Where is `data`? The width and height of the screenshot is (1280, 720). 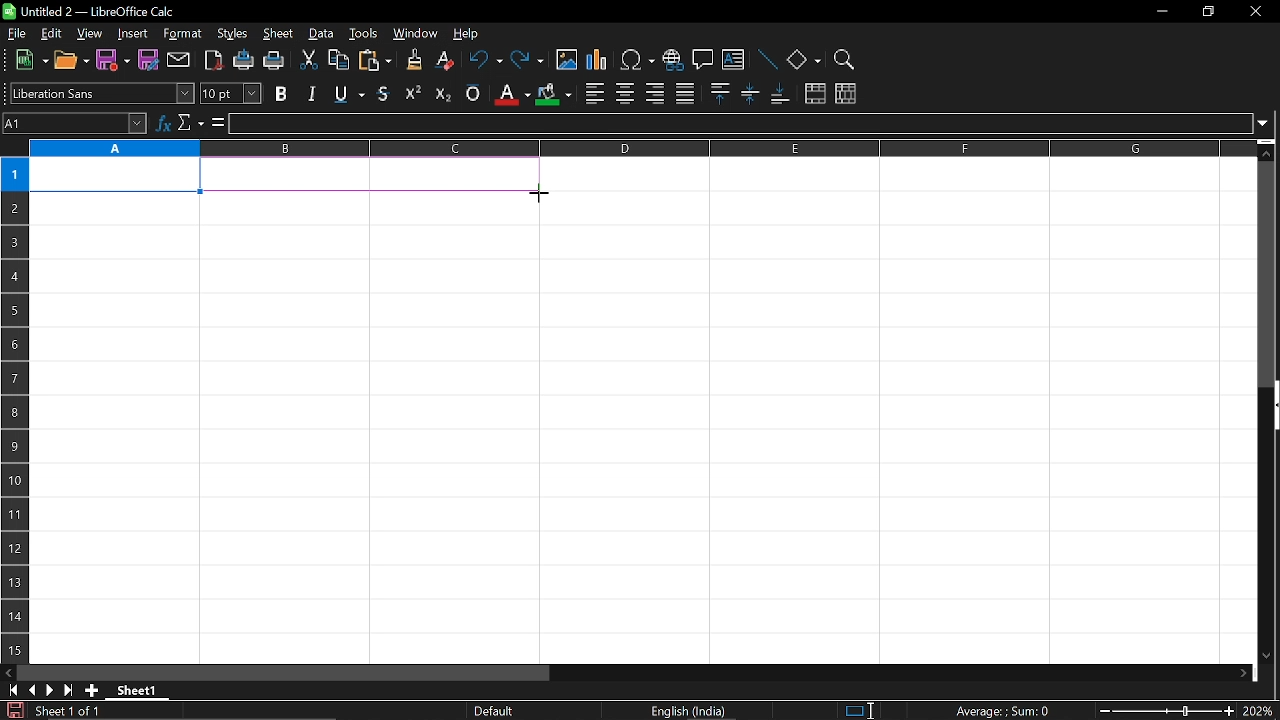 data is located at coordinates (322, 35).